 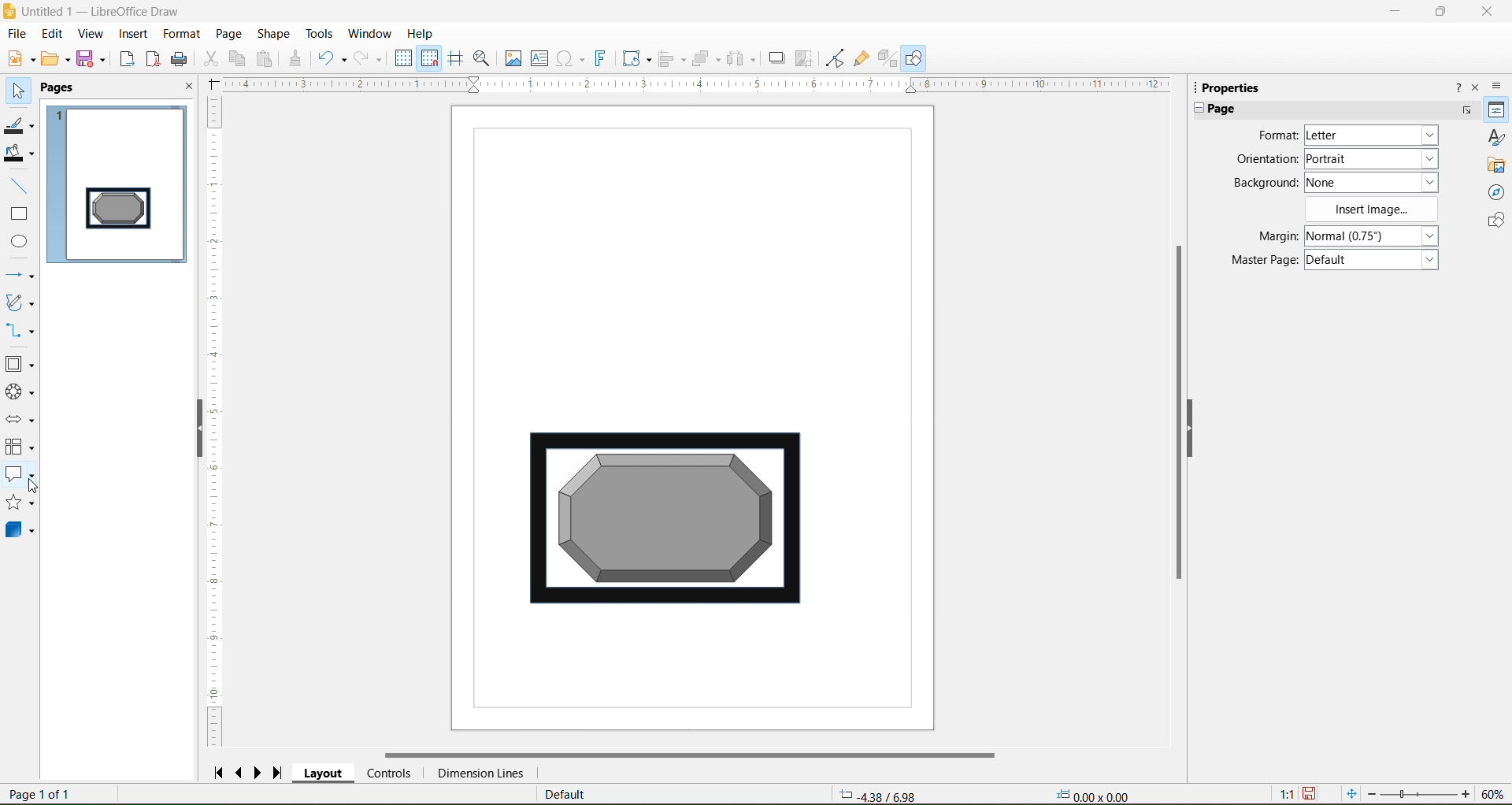 I want to click on Undo, so click(x=332, y=57).